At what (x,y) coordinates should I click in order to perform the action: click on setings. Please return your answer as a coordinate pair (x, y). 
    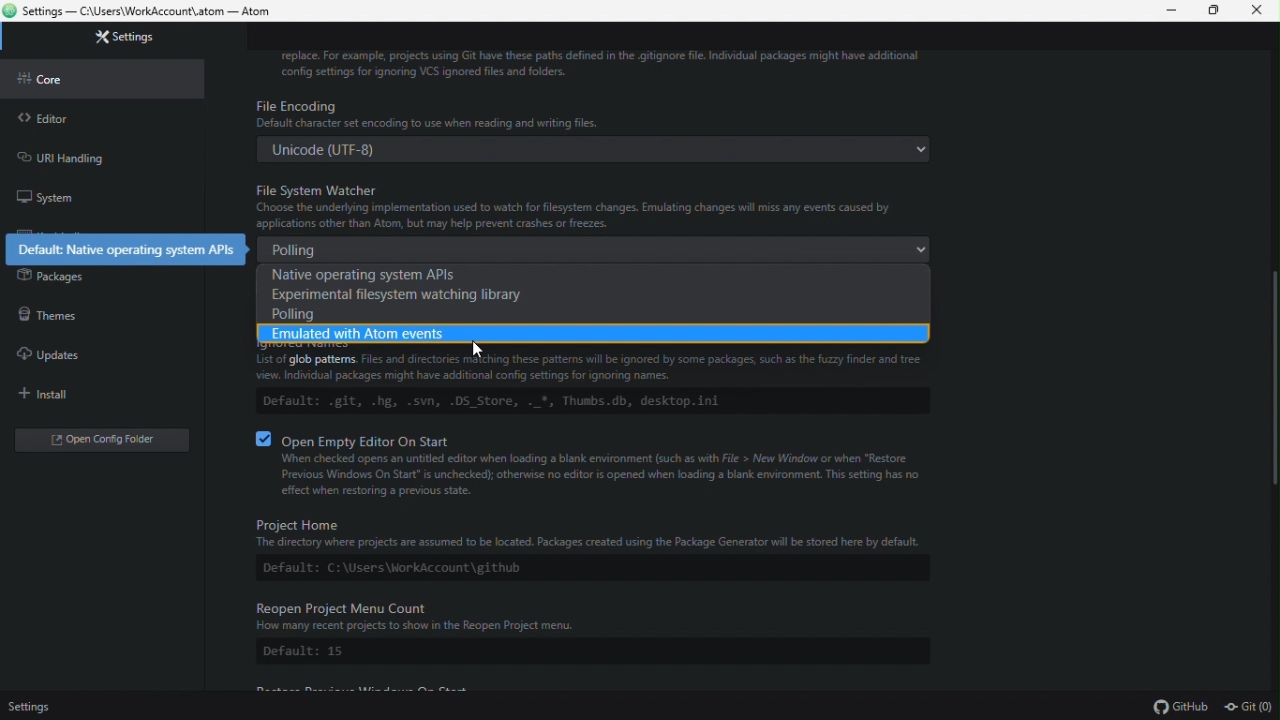
    Looking at the image, I should click on (27, 707).